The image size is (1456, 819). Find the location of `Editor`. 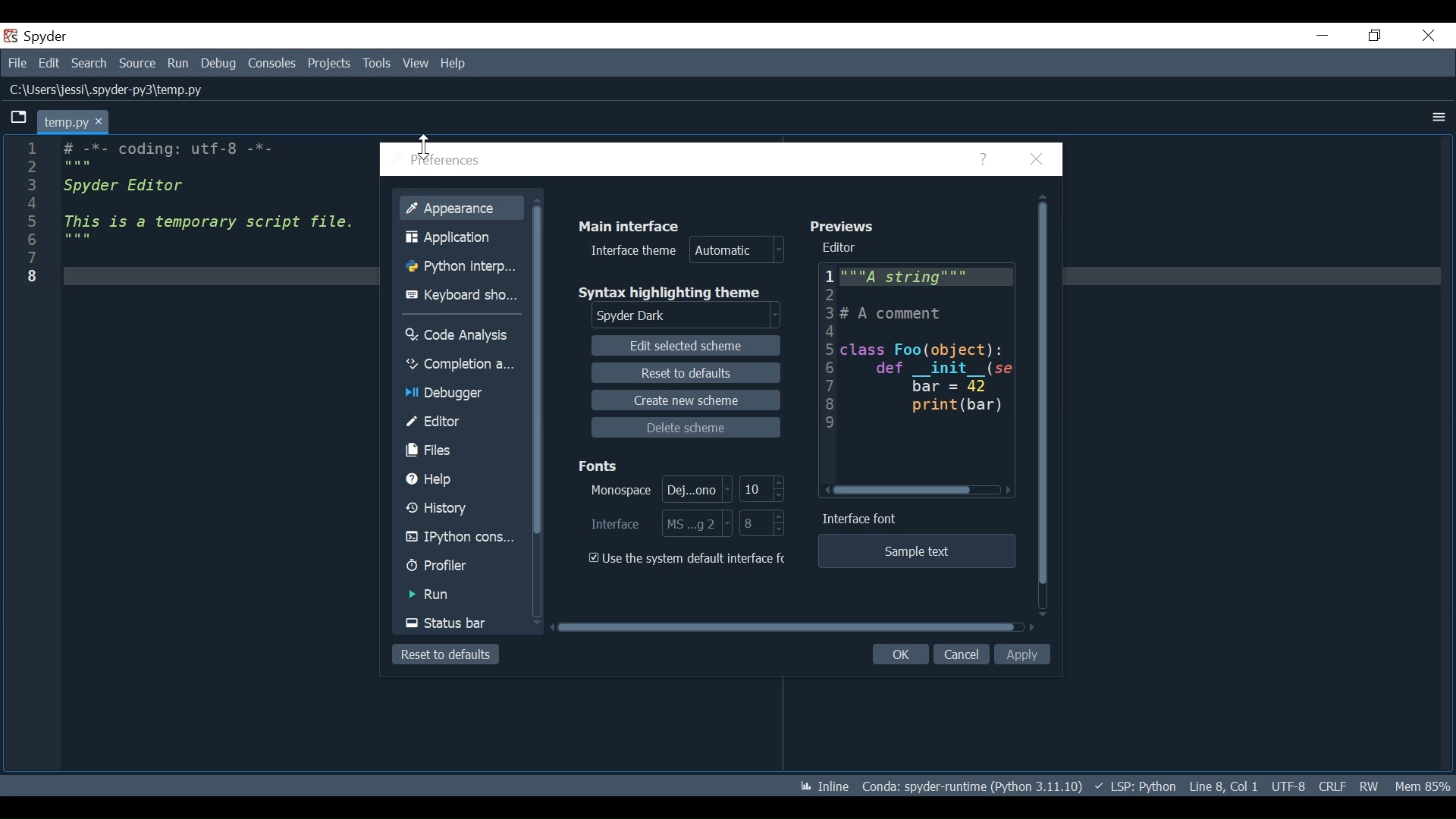

Editor is located at coordinates (844, 248).